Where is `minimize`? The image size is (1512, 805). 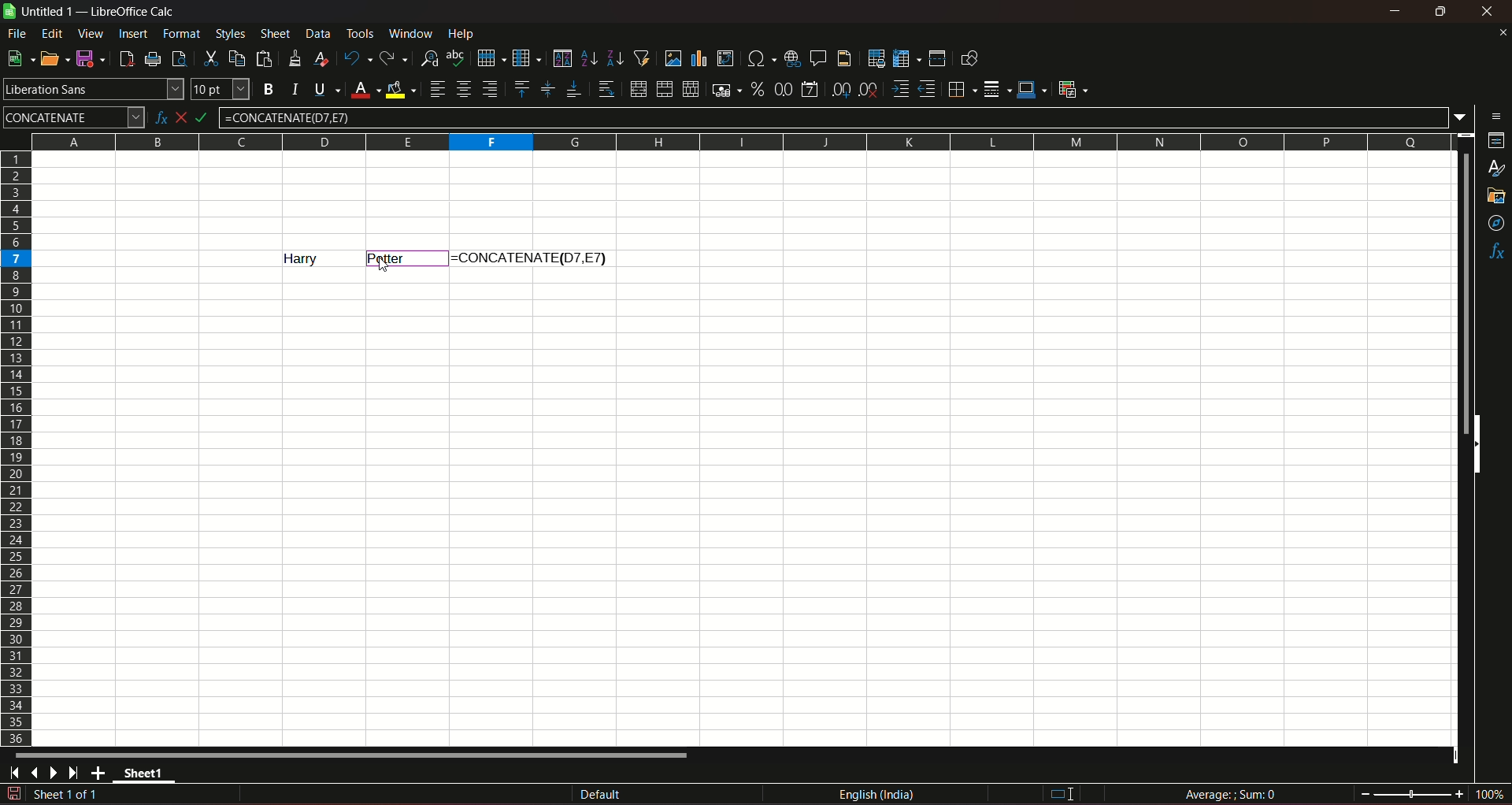
minimize is located at coordinates (1396, 11).